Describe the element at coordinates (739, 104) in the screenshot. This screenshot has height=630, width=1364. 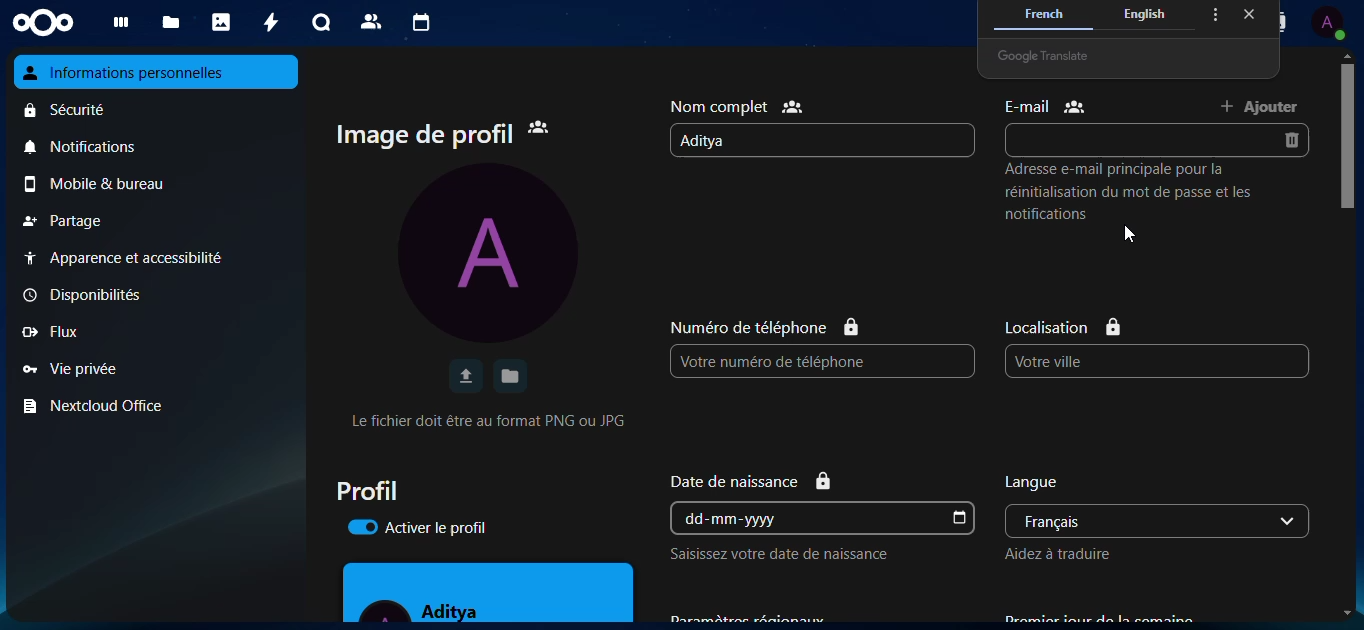
I see `Nom complete` at that location.